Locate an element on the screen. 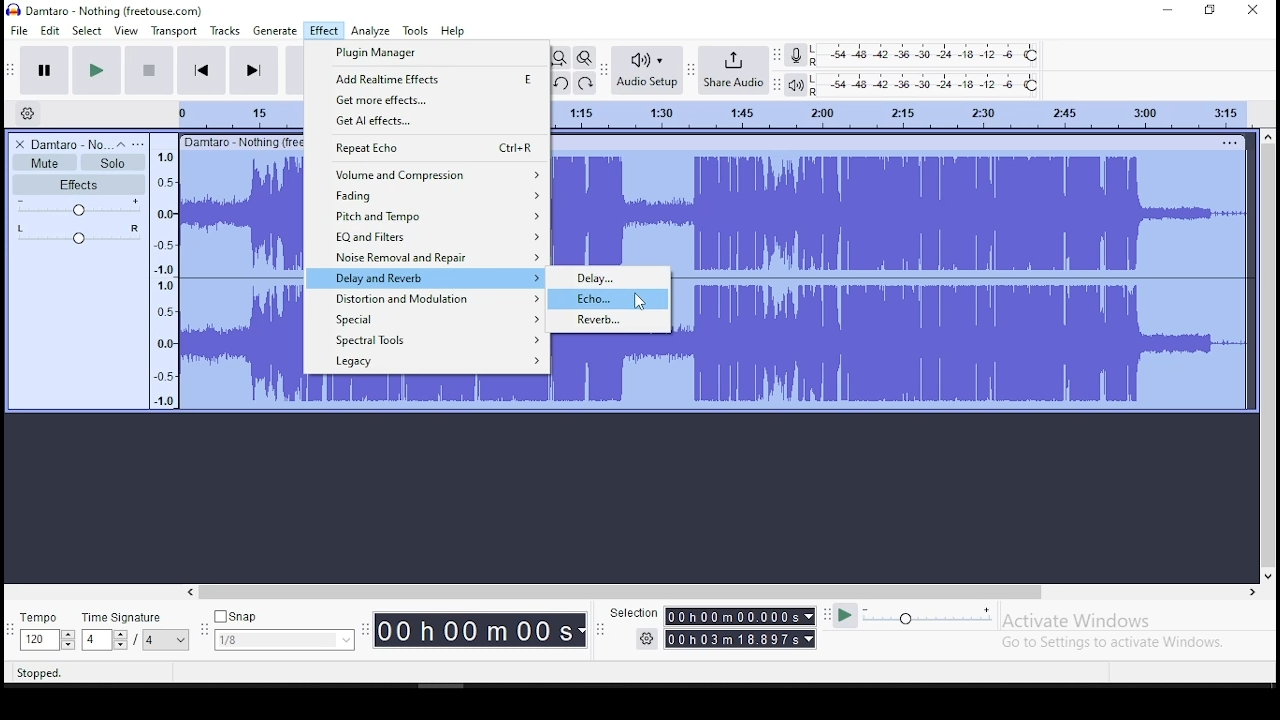   is located at coordinates (604, 69).